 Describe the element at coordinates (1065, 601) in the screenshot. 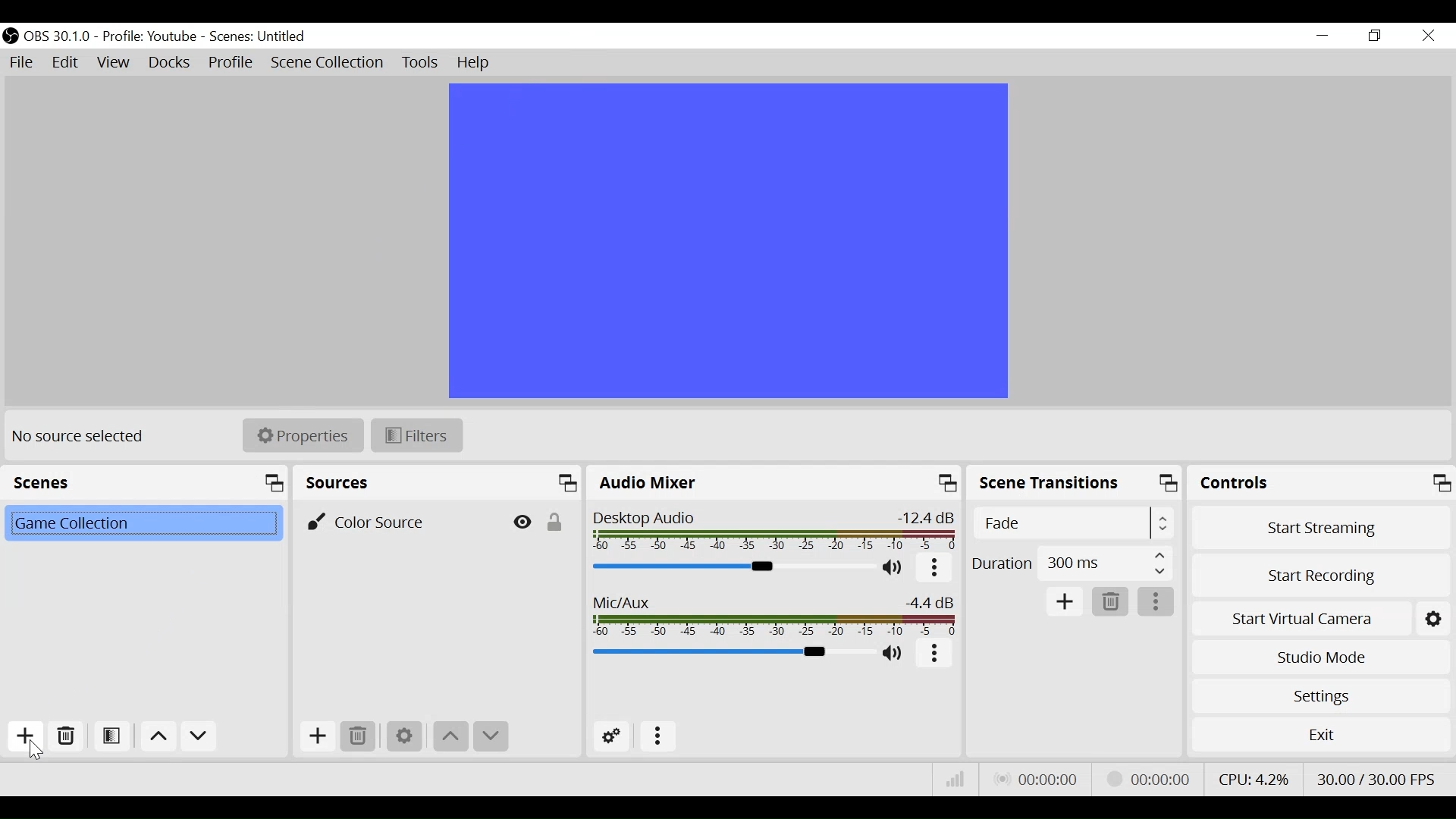

I see `Add` at that location.